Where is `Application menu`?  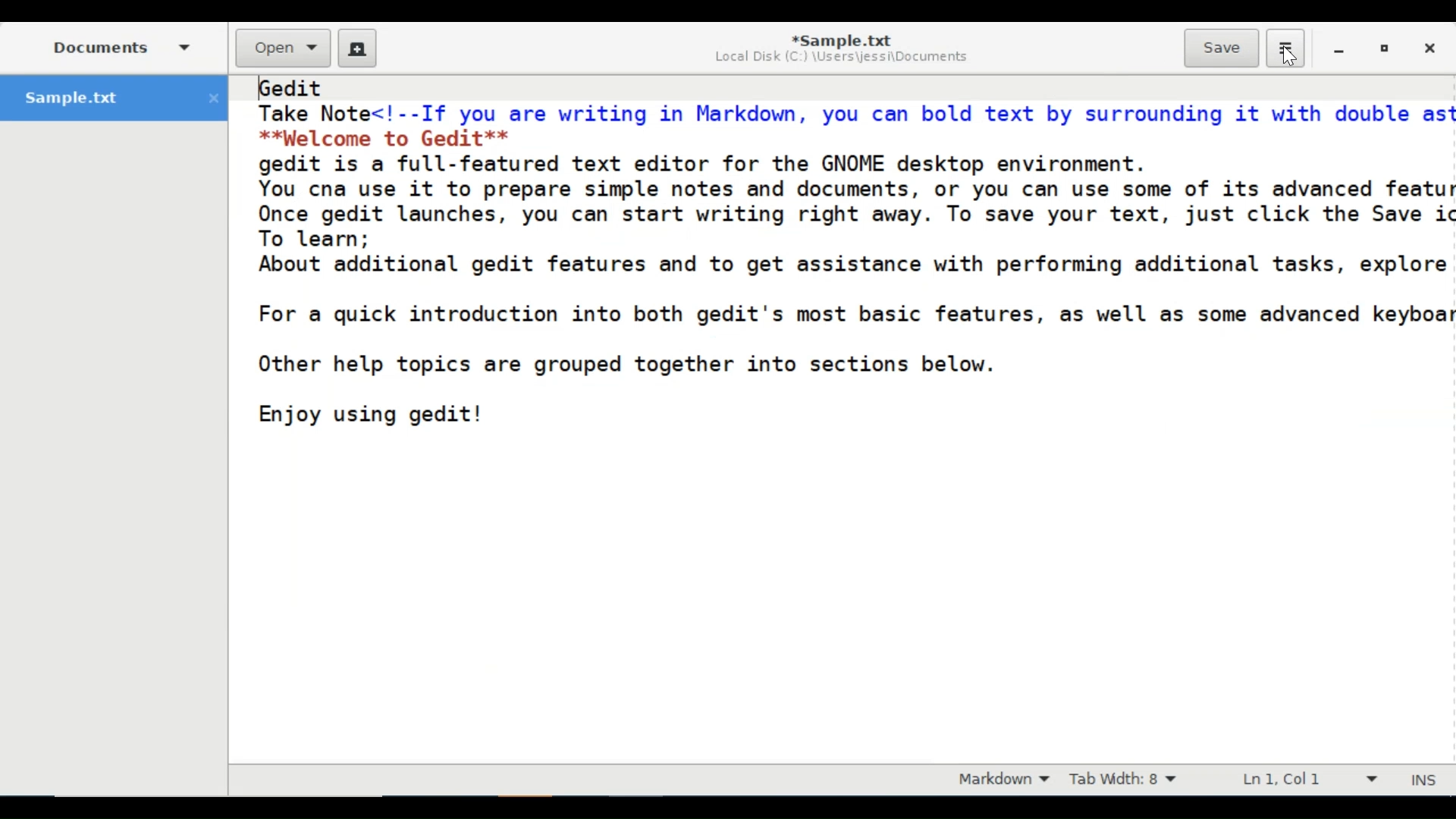 Application menu is located at coordinates (1285, 47).